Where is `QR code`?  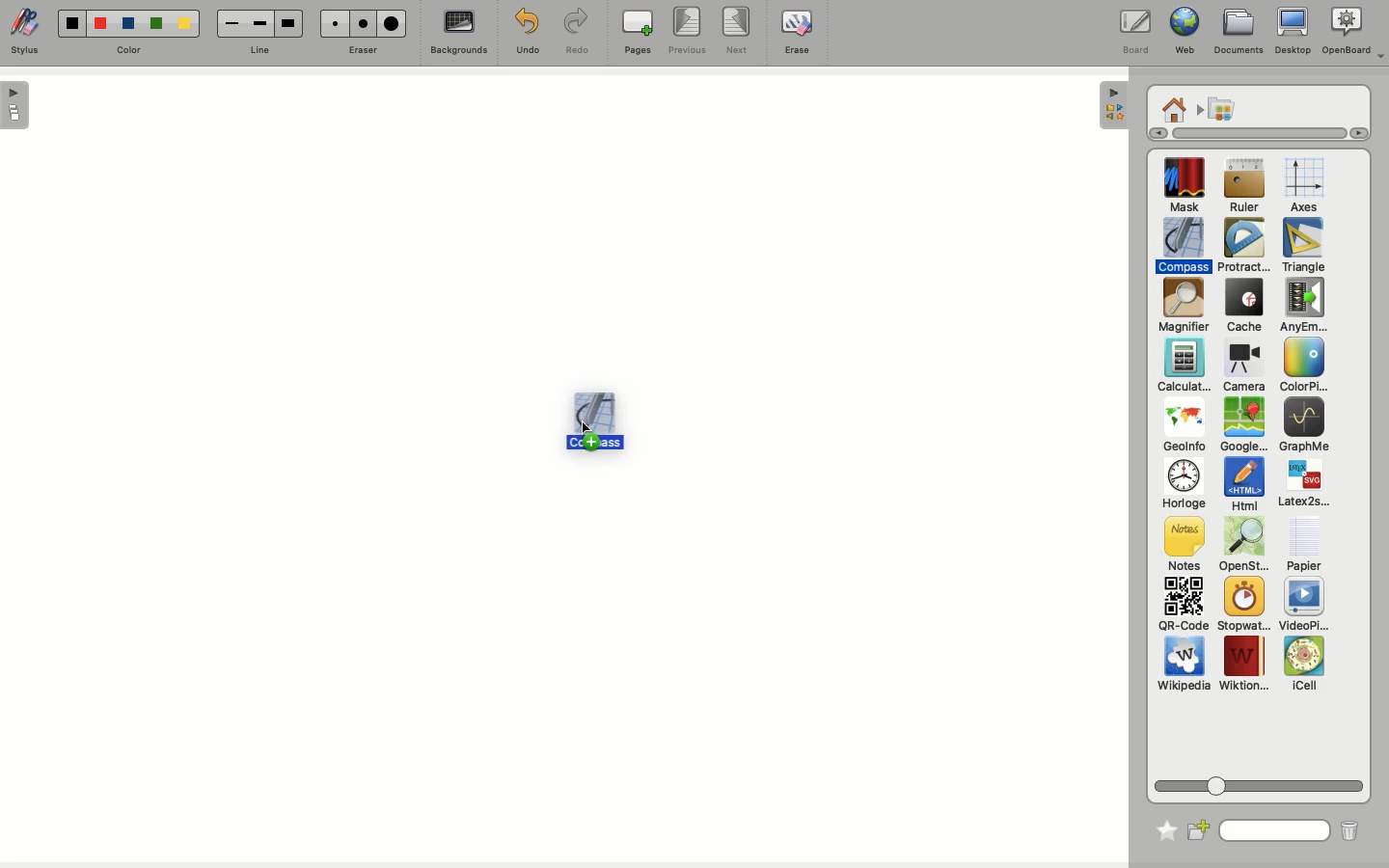 QR code is located at coordinates (1183, 607).